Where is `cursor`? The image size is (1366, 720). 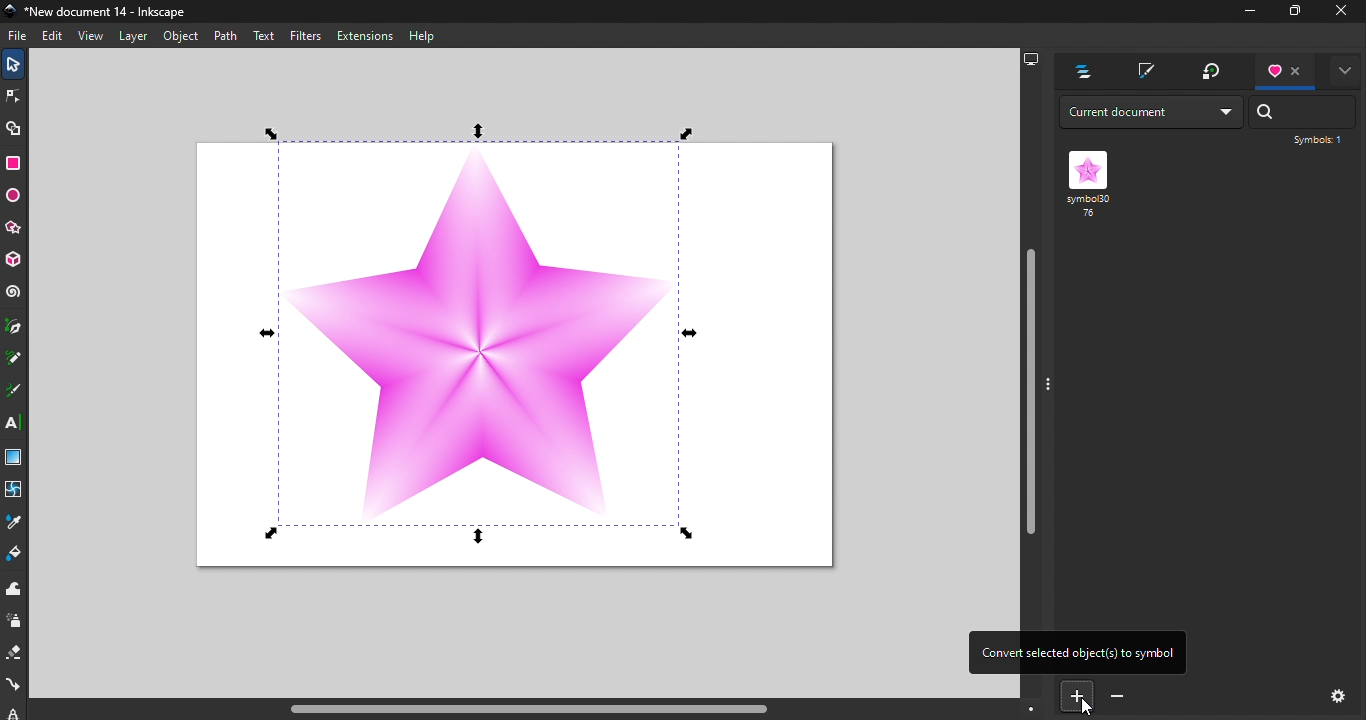 cursor is located at coordinates (1086, 709).